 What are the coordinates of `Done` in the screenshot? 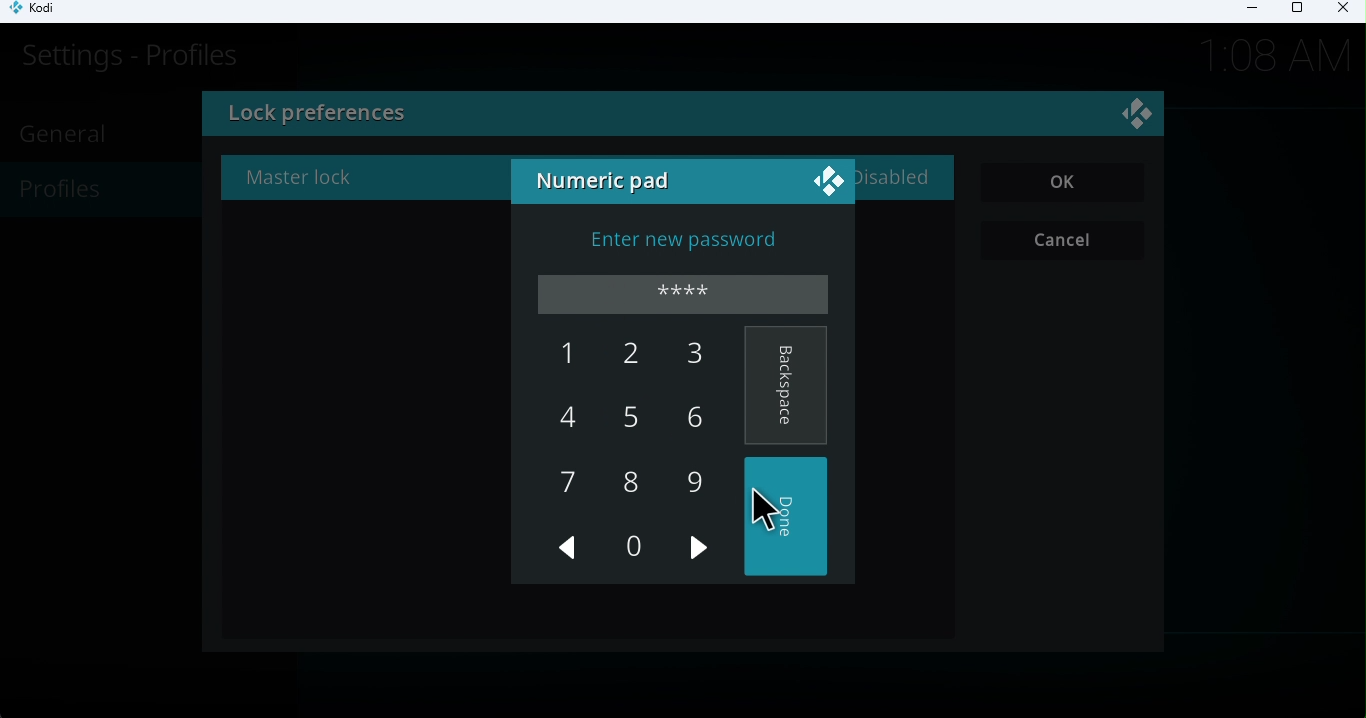 It's located at (789, 516).